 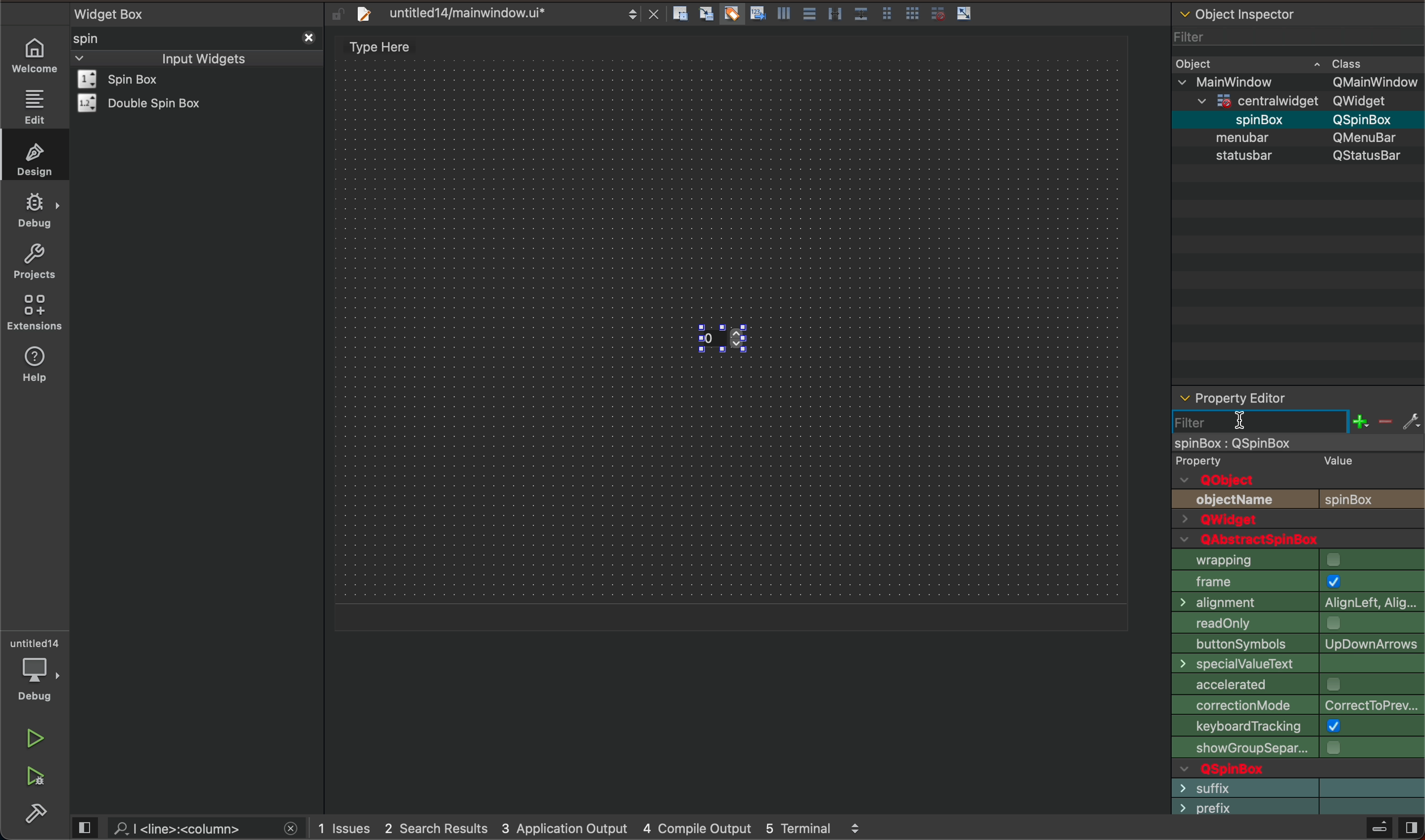 What do you see at coordinates (1198, 62) in the screenshot?
I see `object` at bounding box center [1198, 62].